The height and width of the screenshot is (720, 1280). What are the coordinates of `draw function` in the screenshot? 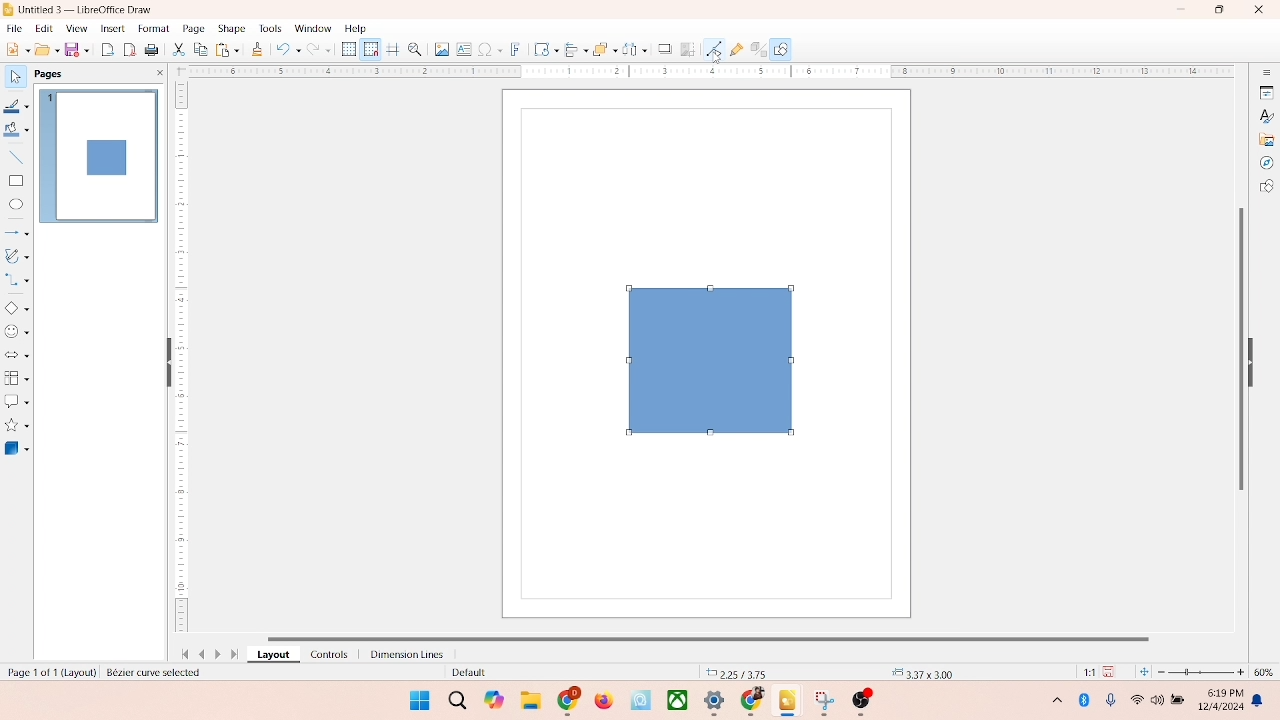 It's located at (783, 49).